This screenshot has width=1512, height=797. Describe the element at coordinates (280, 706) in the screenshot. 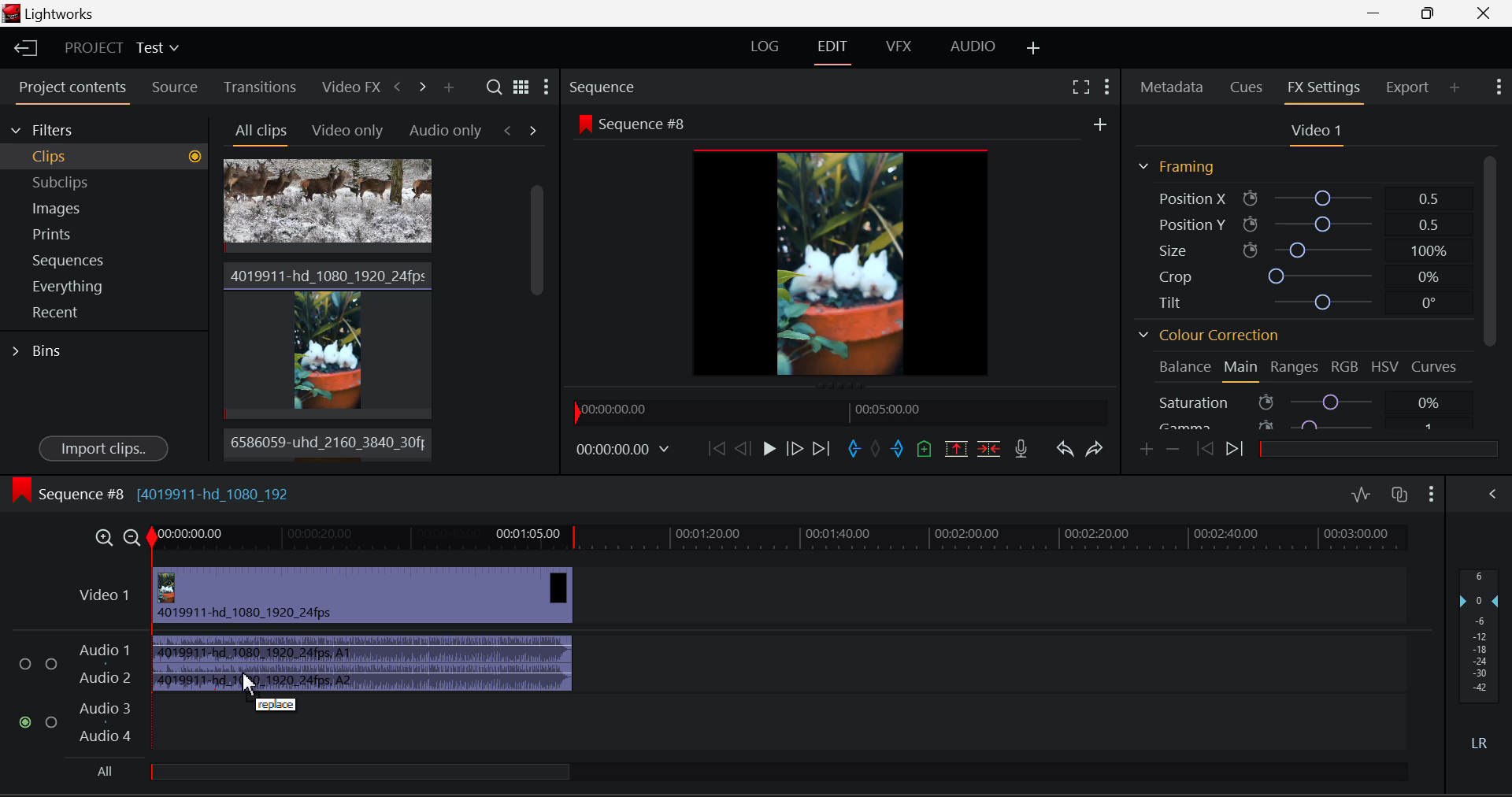

I see `replace` at that location.